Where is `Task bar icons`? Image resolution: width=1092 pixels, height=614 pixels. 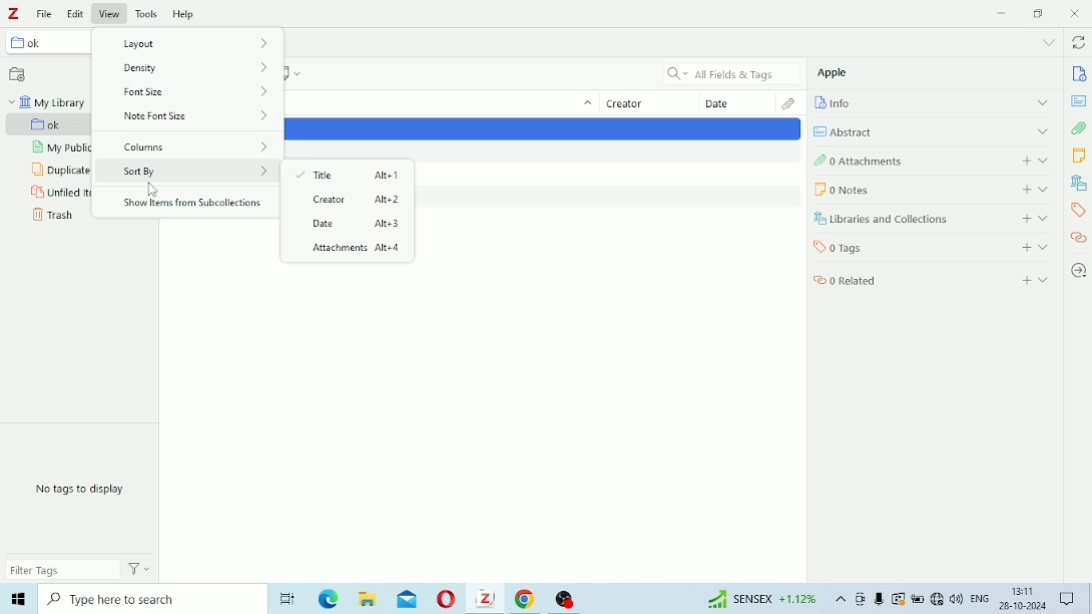
Task bar icons is located at coordinates (908, 600).